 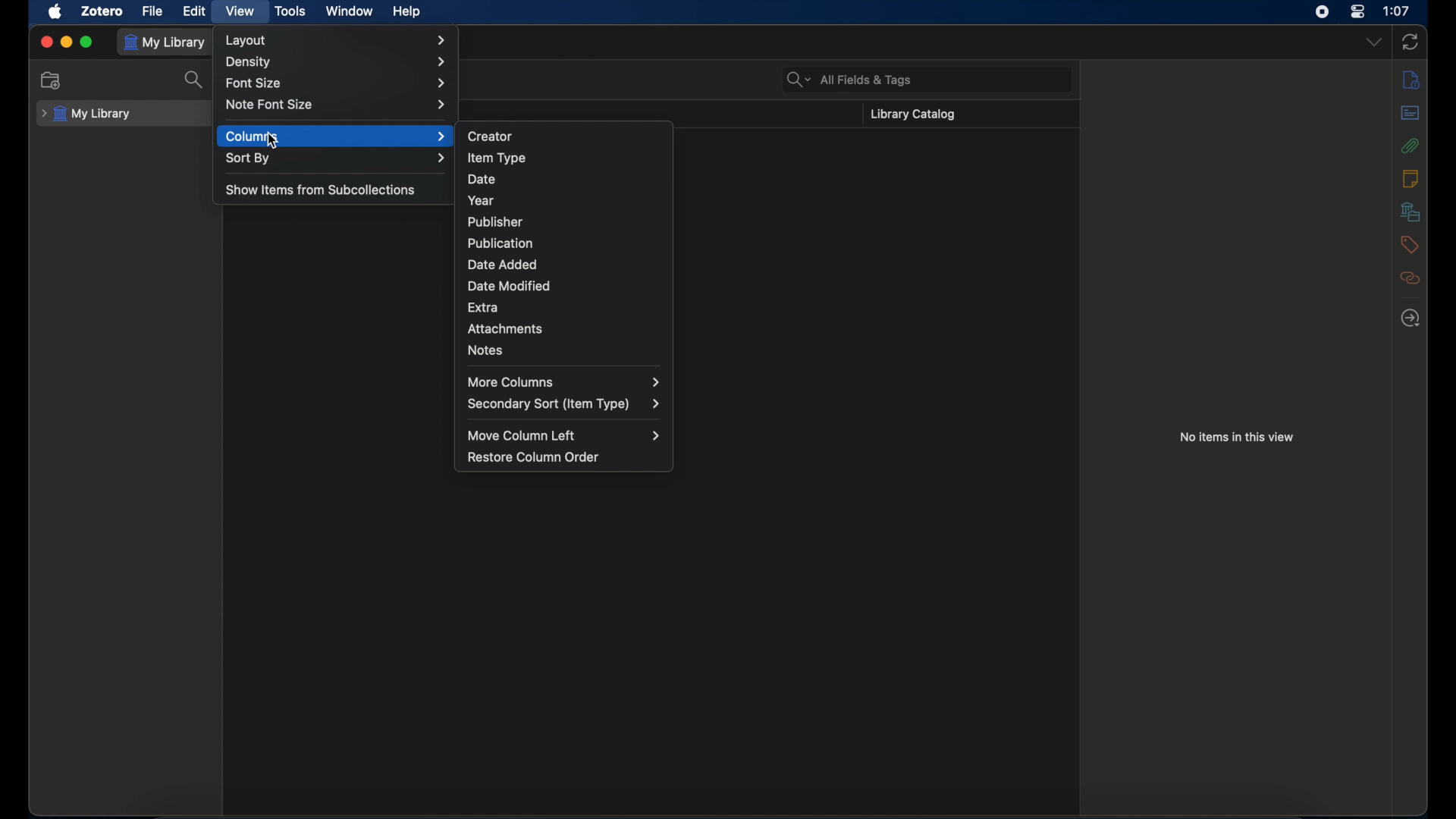 I want to click on tags, so click(x=1409, y=244).